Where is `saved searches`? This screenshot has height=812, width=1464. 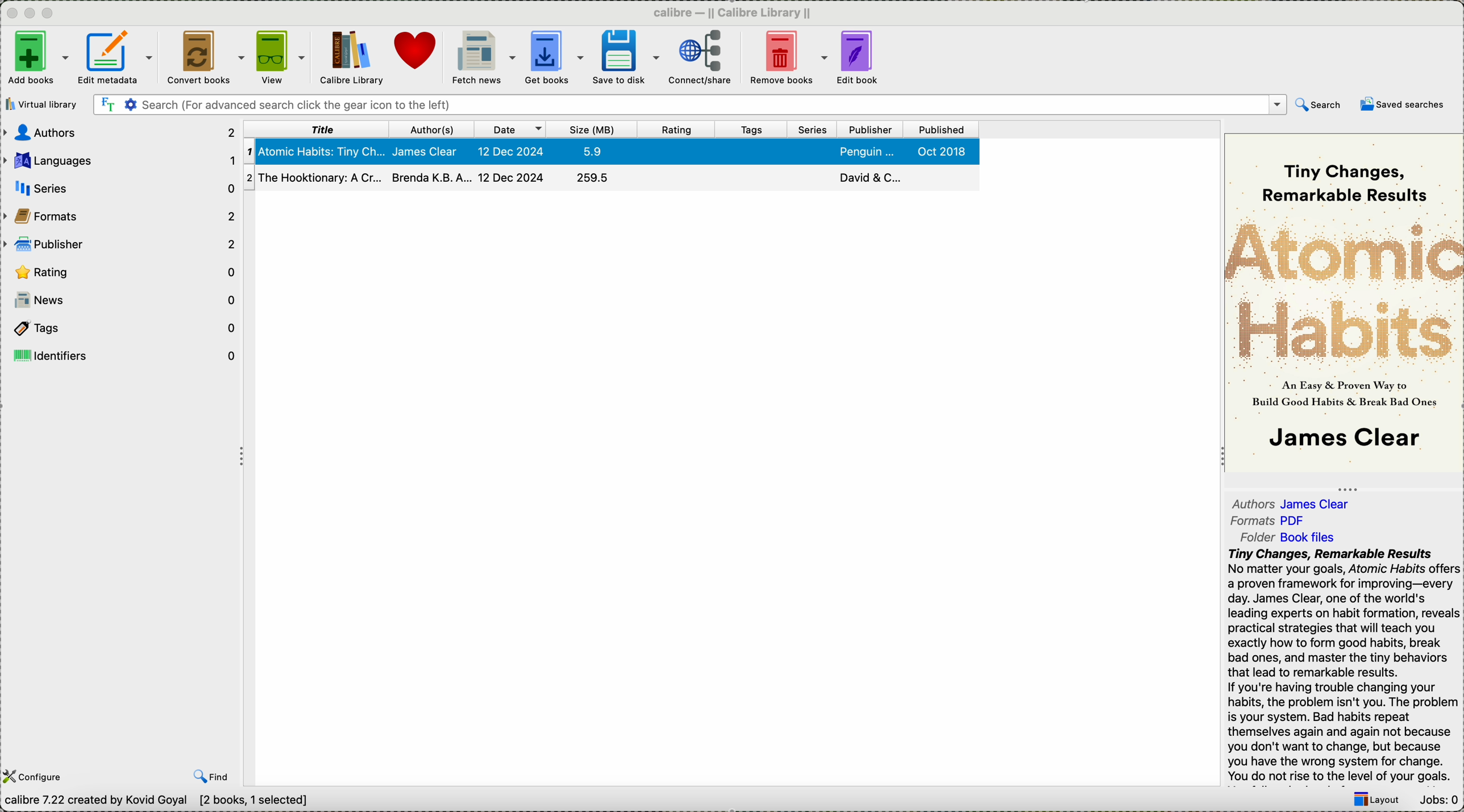
saved searches is located at coordinates (1403, 107).